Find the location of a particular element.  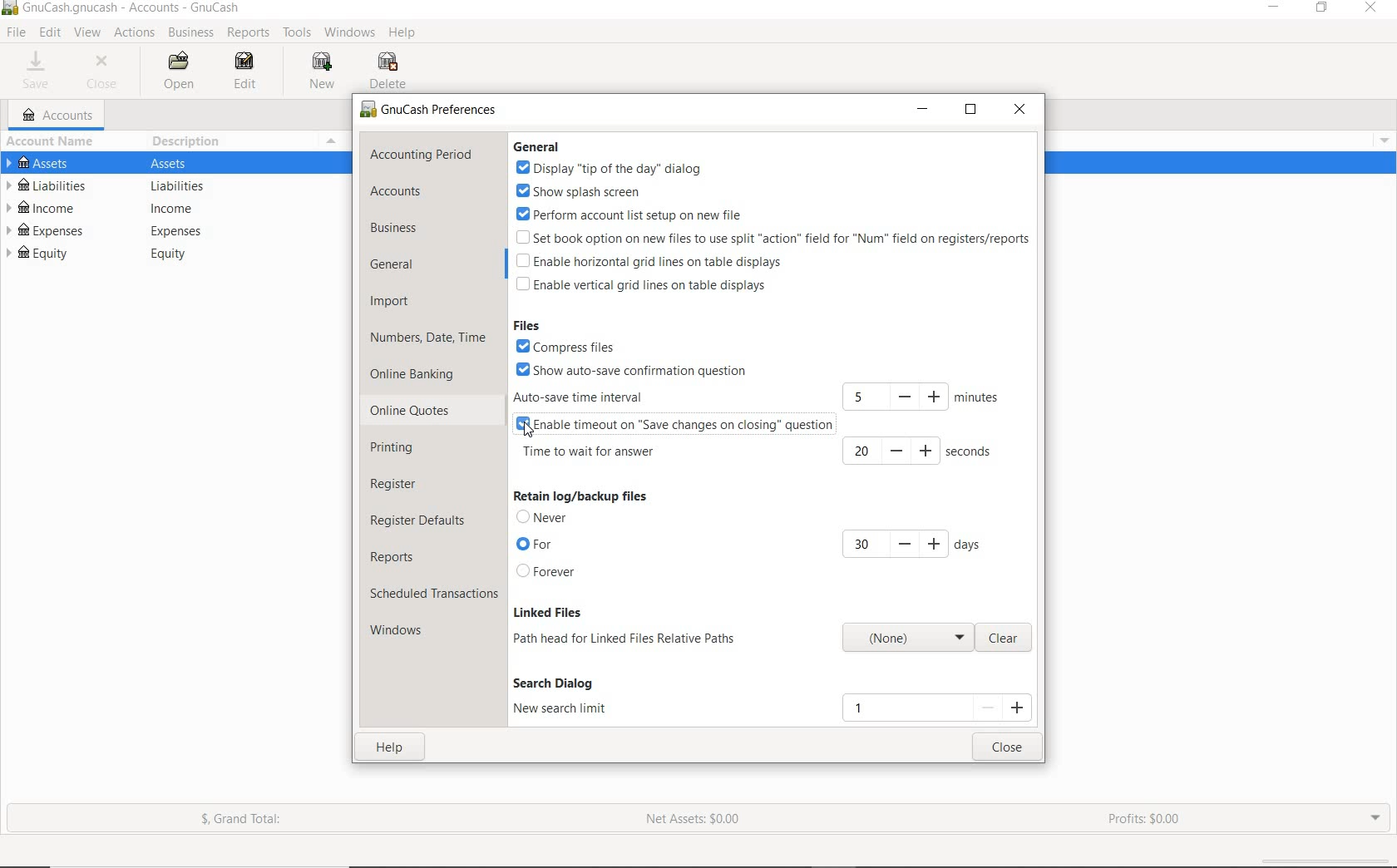

display 'tip of the day' dialog is located at coordinates (609, 169).